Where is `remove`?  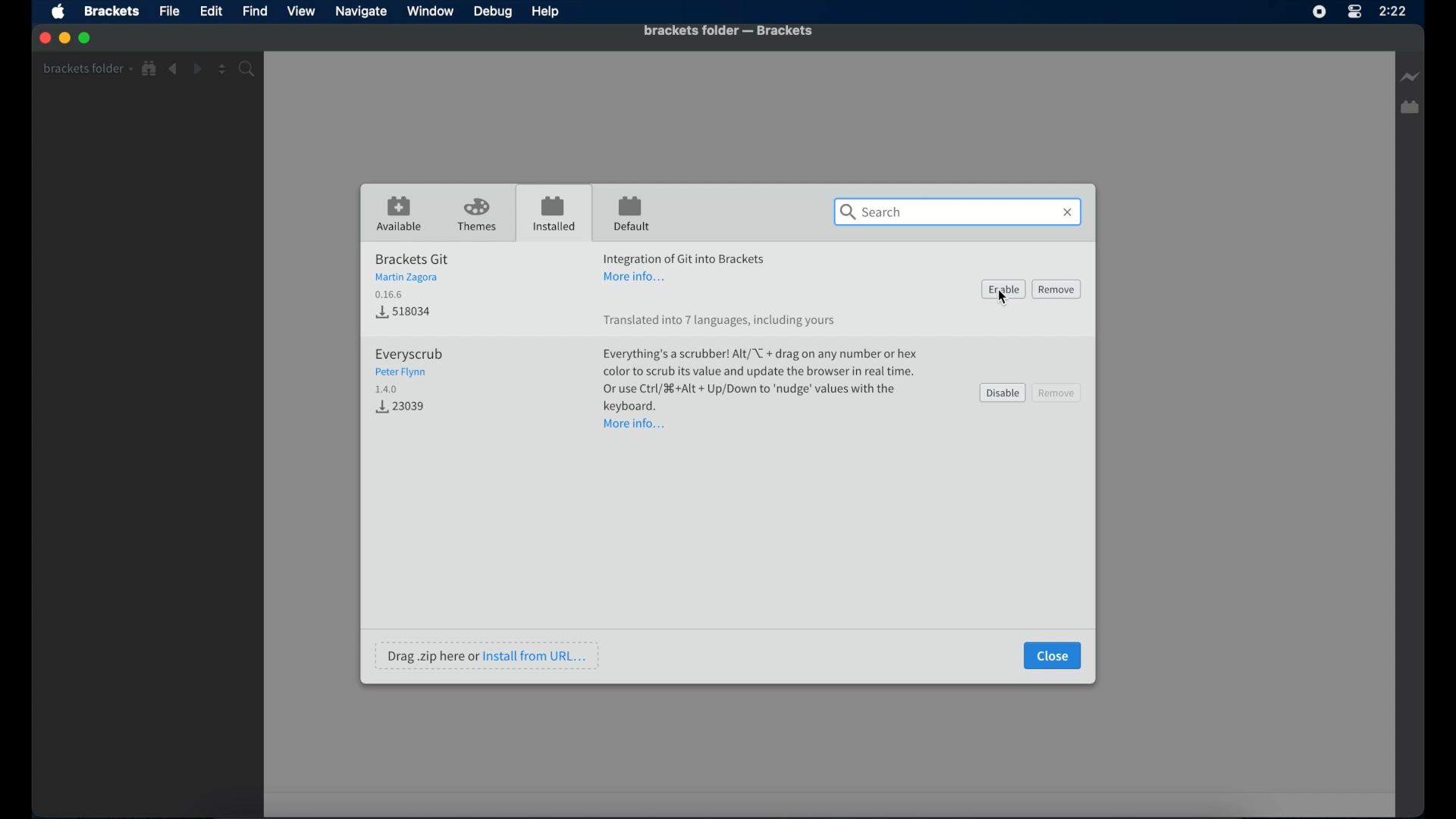 remove is located at coordinates (1057, 289).